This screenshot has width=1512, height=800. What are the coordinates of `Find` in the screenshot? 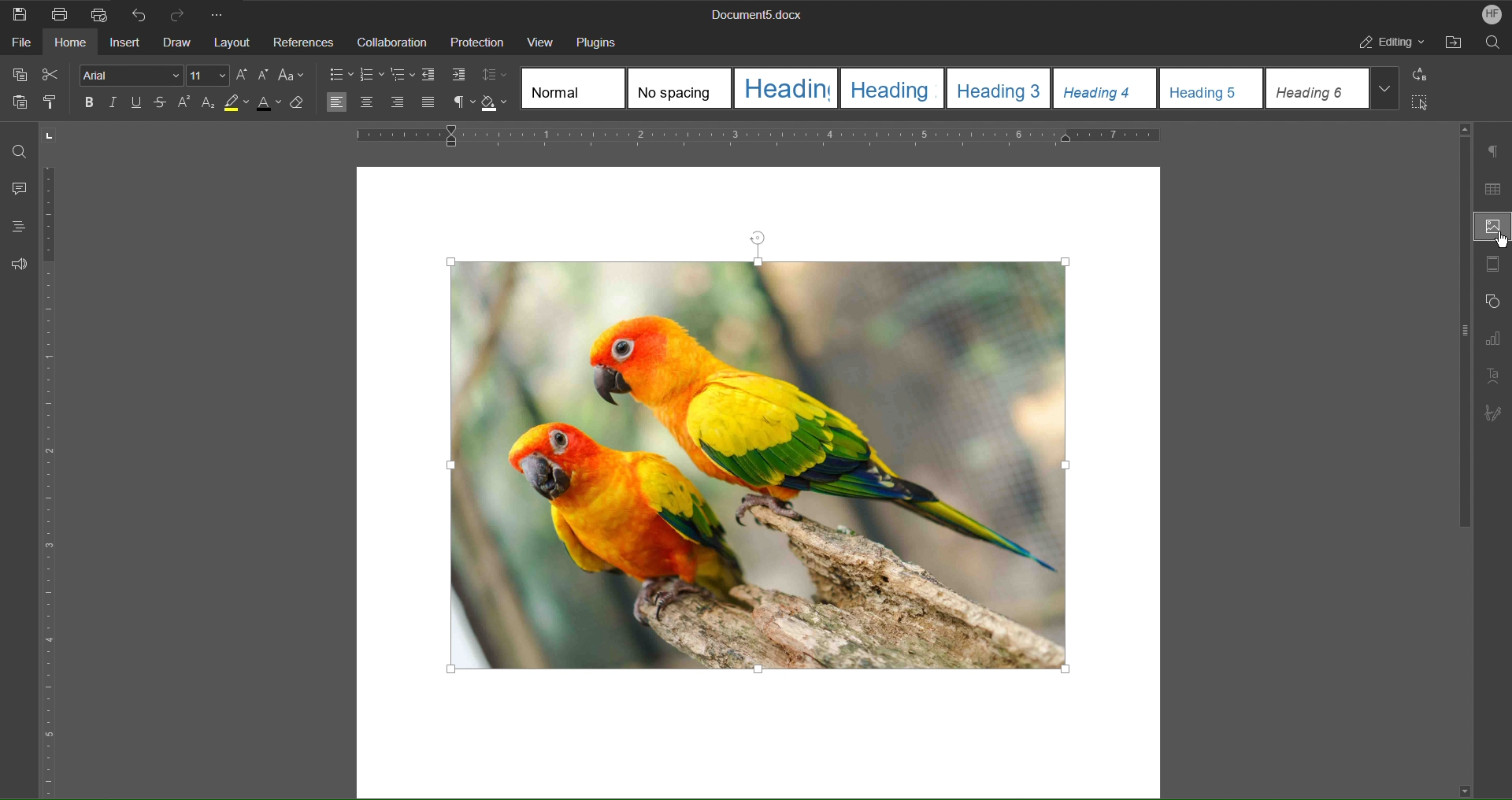 It's located at (20, 151).